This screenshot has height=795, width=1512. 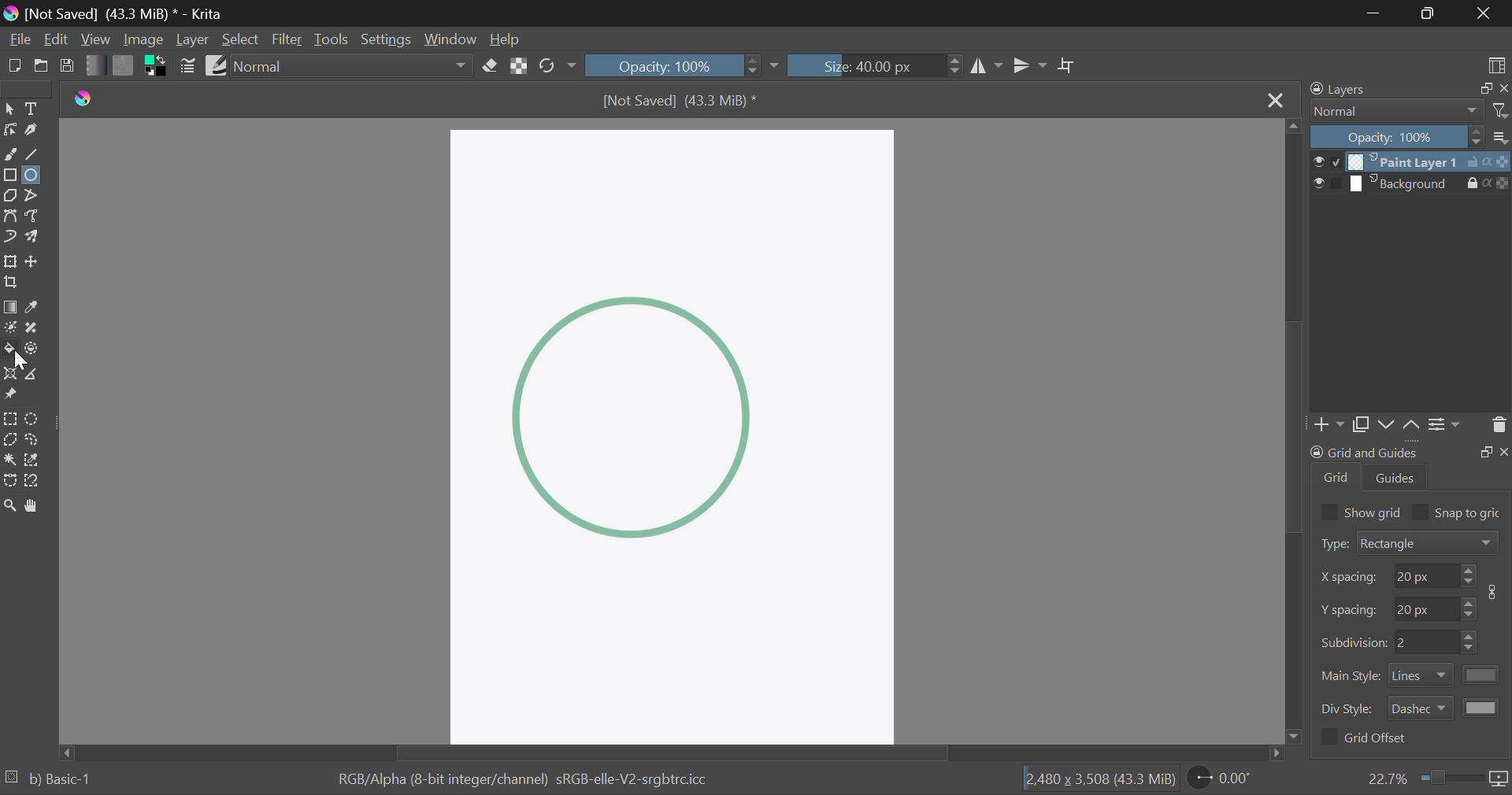 What do you see at coordinates (1431, 13) in the screenshot?
I see `Minimize` at bounding box center [1431, 13].